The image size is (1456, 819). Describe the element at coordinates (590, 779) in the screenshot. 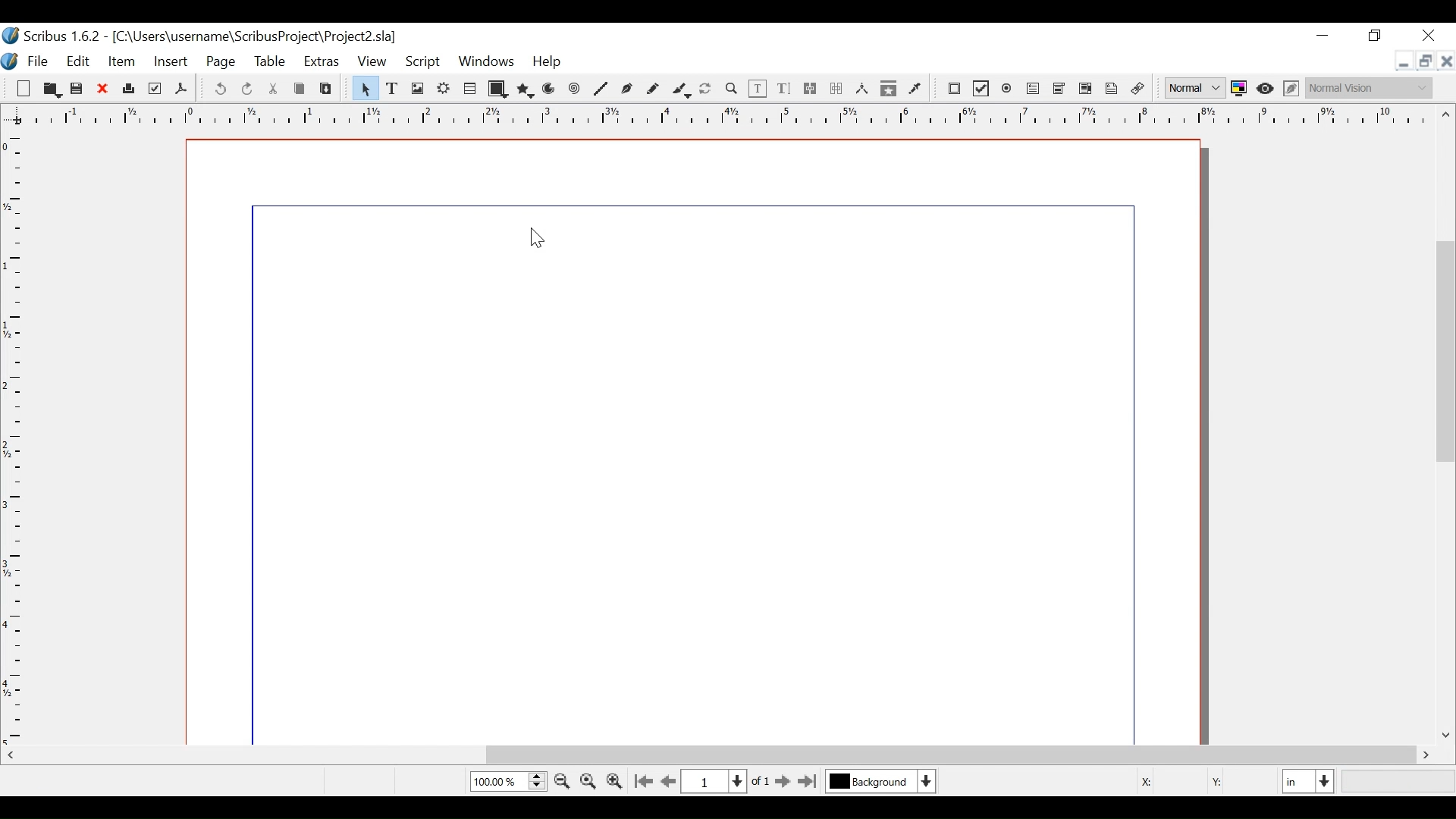

I see `Zoom to 100` at that location.